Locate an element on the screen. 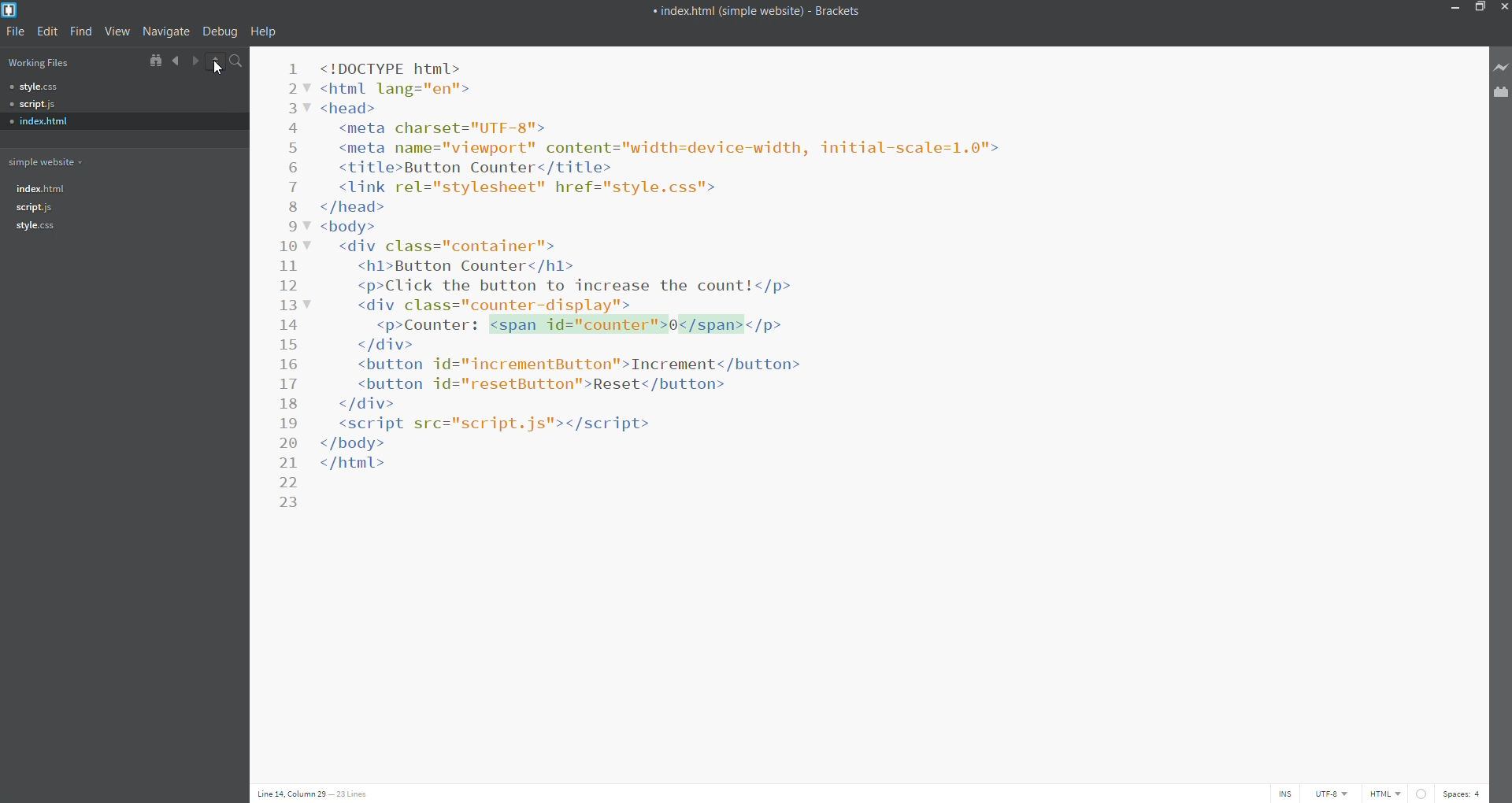 This screenshot has height=803, width=1512. error is located at coordinates (1424, 794).